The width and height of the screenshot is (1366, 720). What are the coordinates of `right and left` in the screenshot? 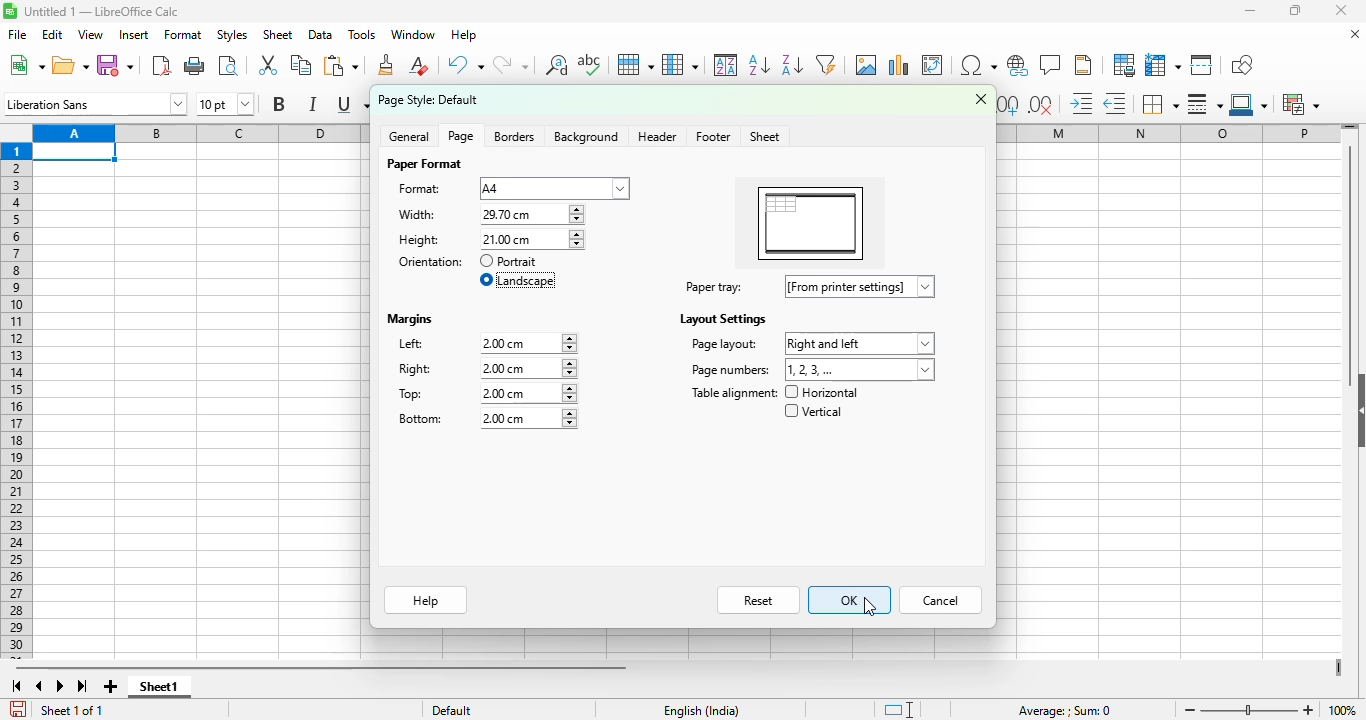 It's located at (859, 344).